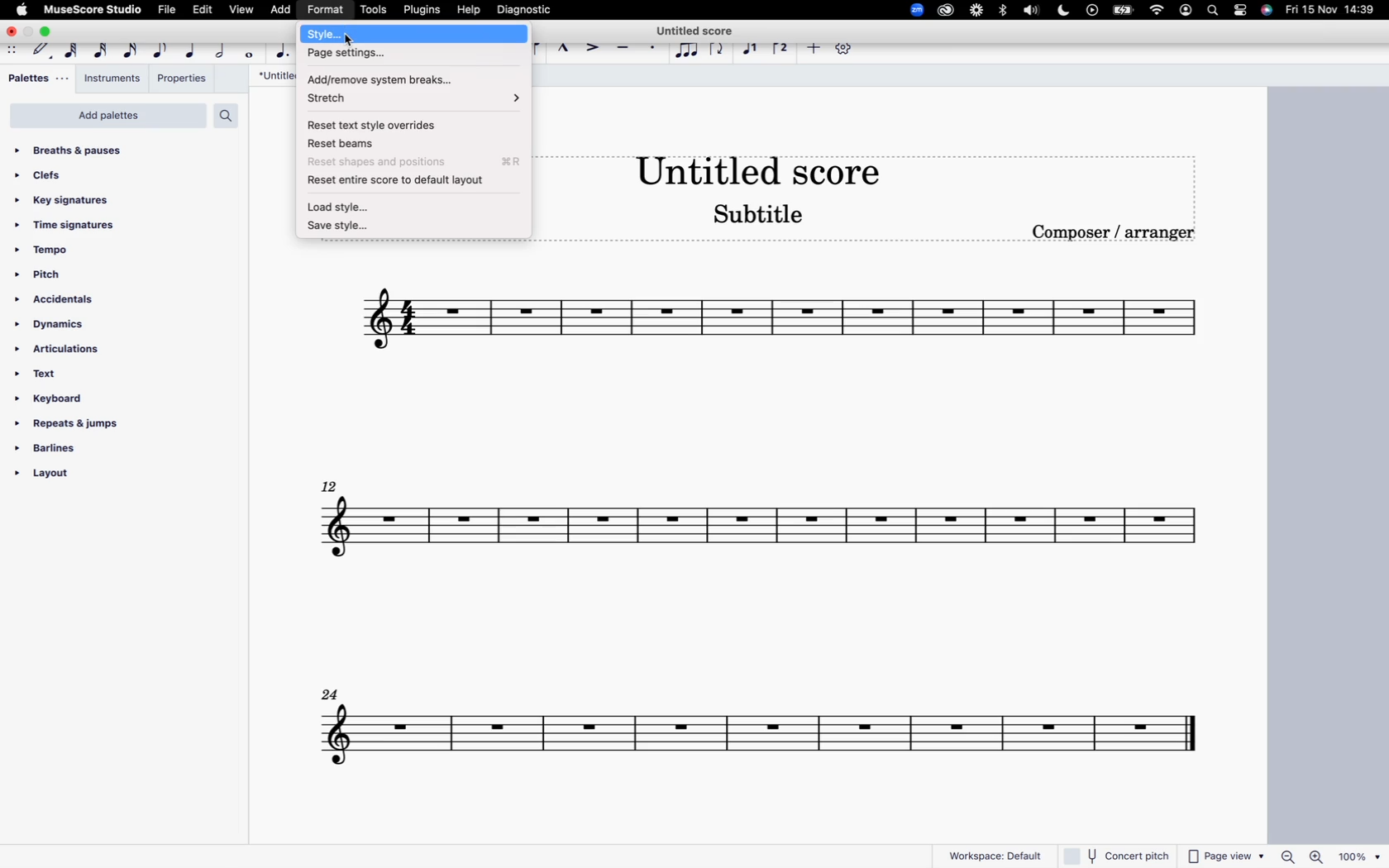  I want to click on edit, so click(204, 12).